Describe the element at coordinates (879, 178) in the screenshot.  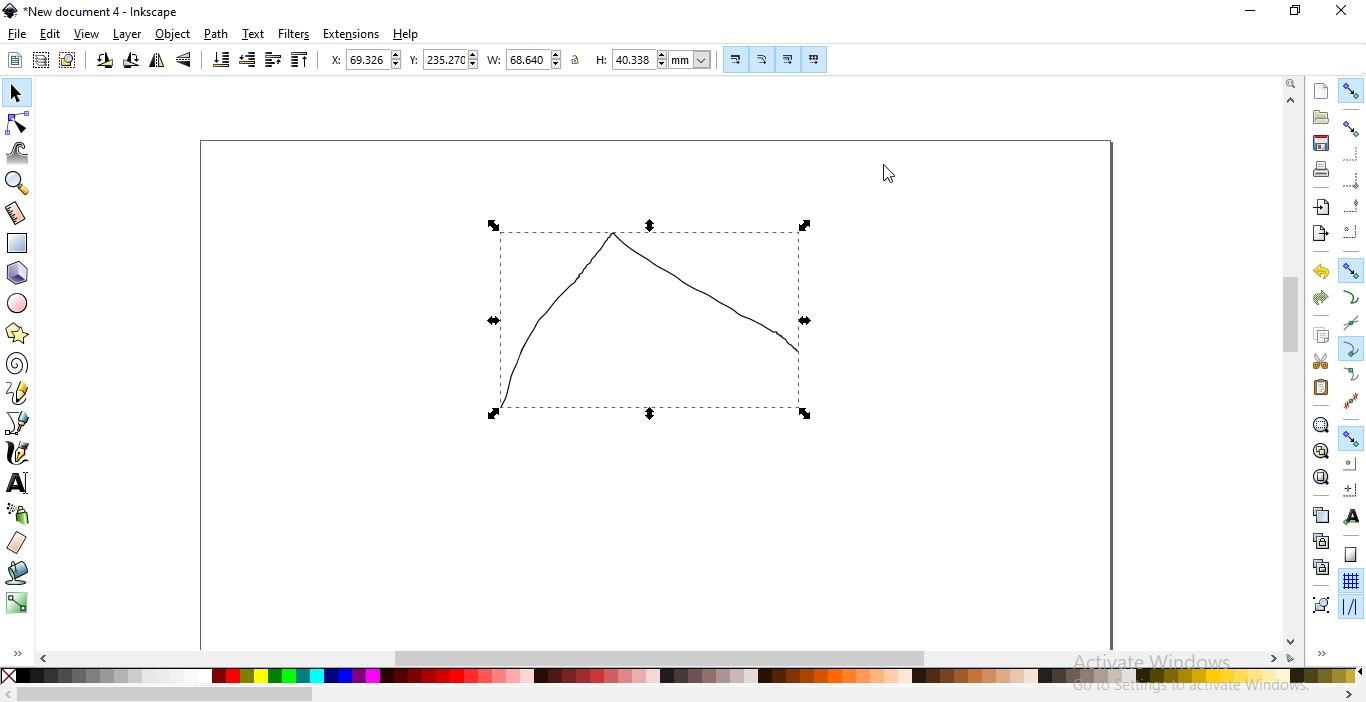
I see `cursor` at that location.